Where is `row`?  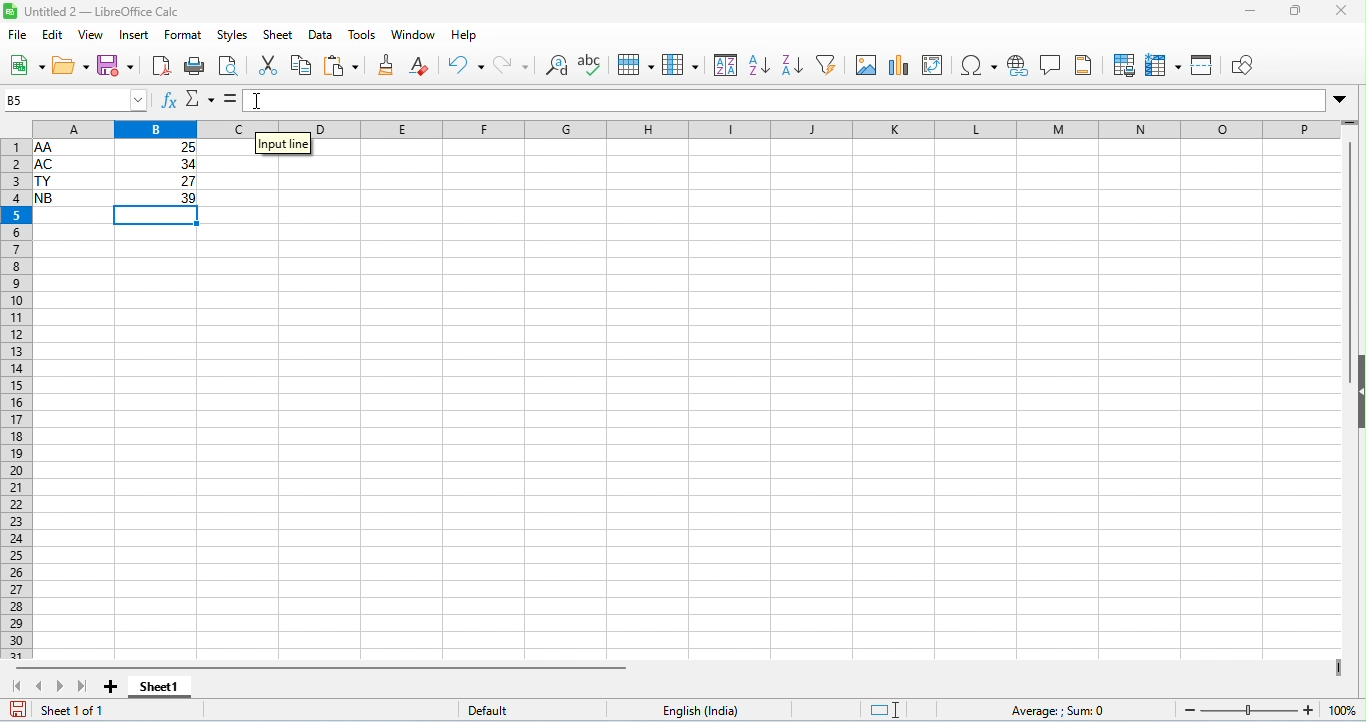 row is located at coordinates (636, 65).